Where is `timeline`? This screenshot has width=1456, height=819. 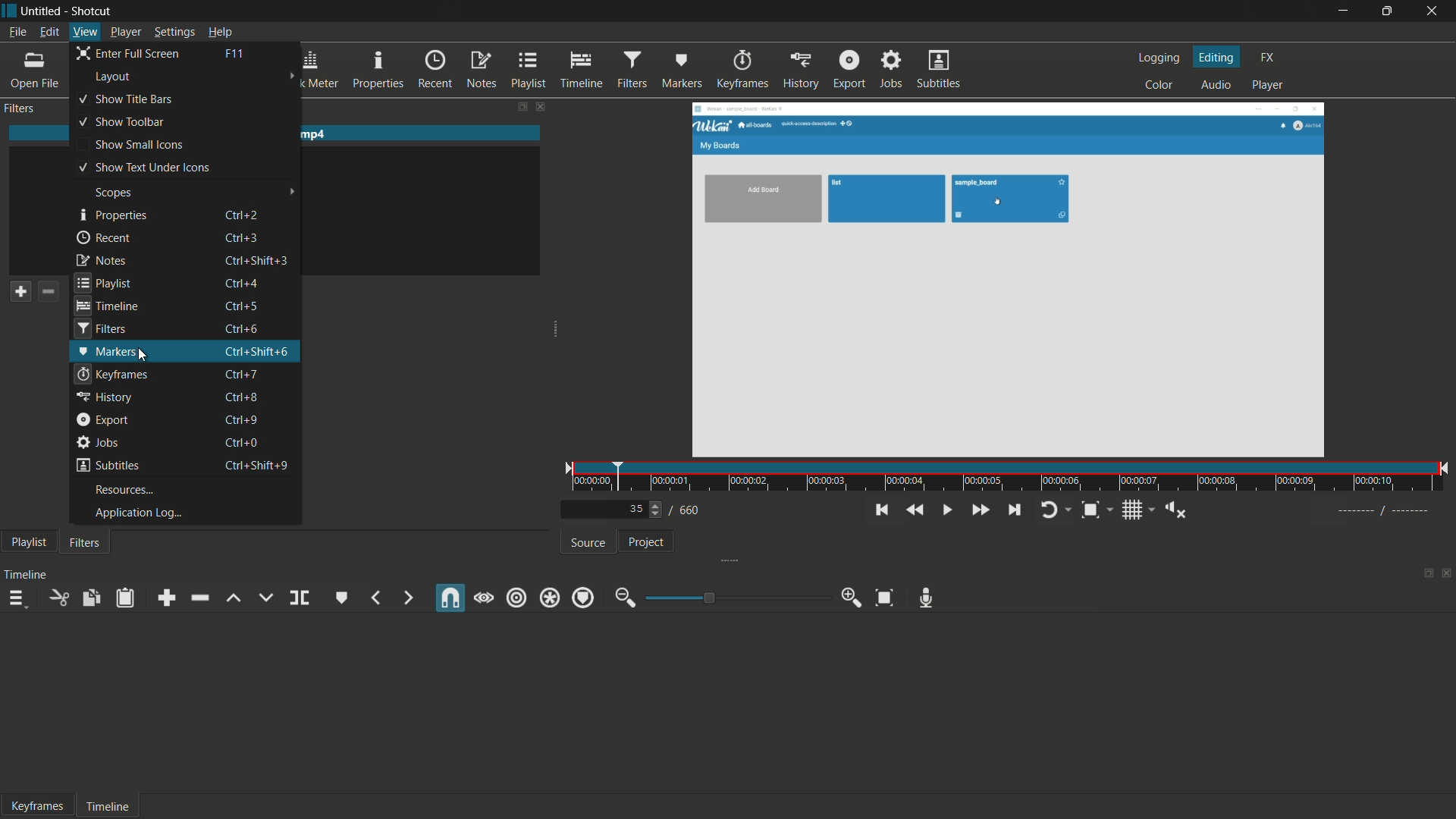
timeline is located at coordinates (28, 575).